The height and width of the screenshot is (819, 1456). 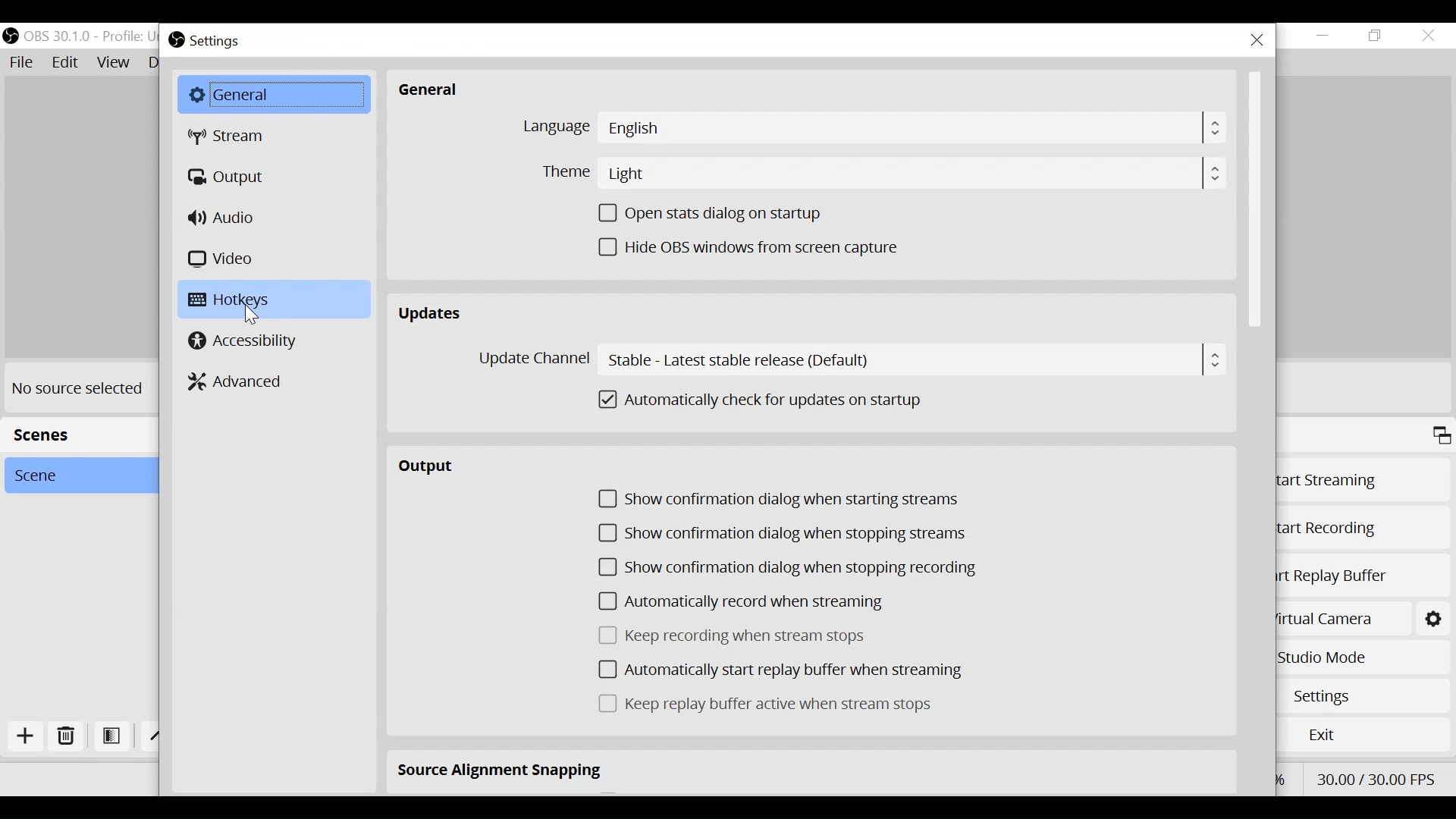 What do you see at coordinates (880, 173) in the screenshot?
I see `Select Theme` at bounding box center [880, 173].